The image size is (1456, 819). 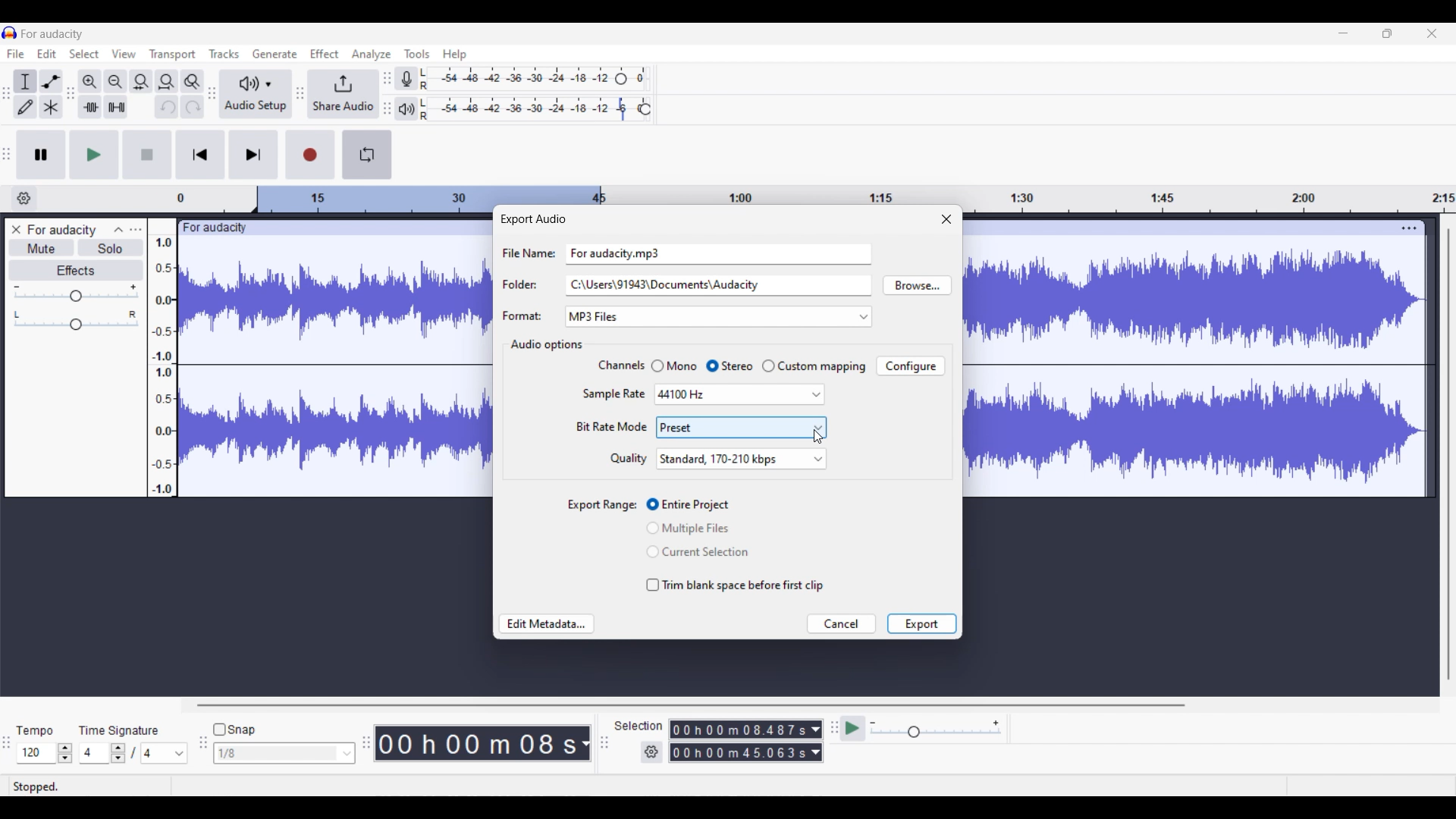 I want to click on Current status of track, so click(x=36, y=786).